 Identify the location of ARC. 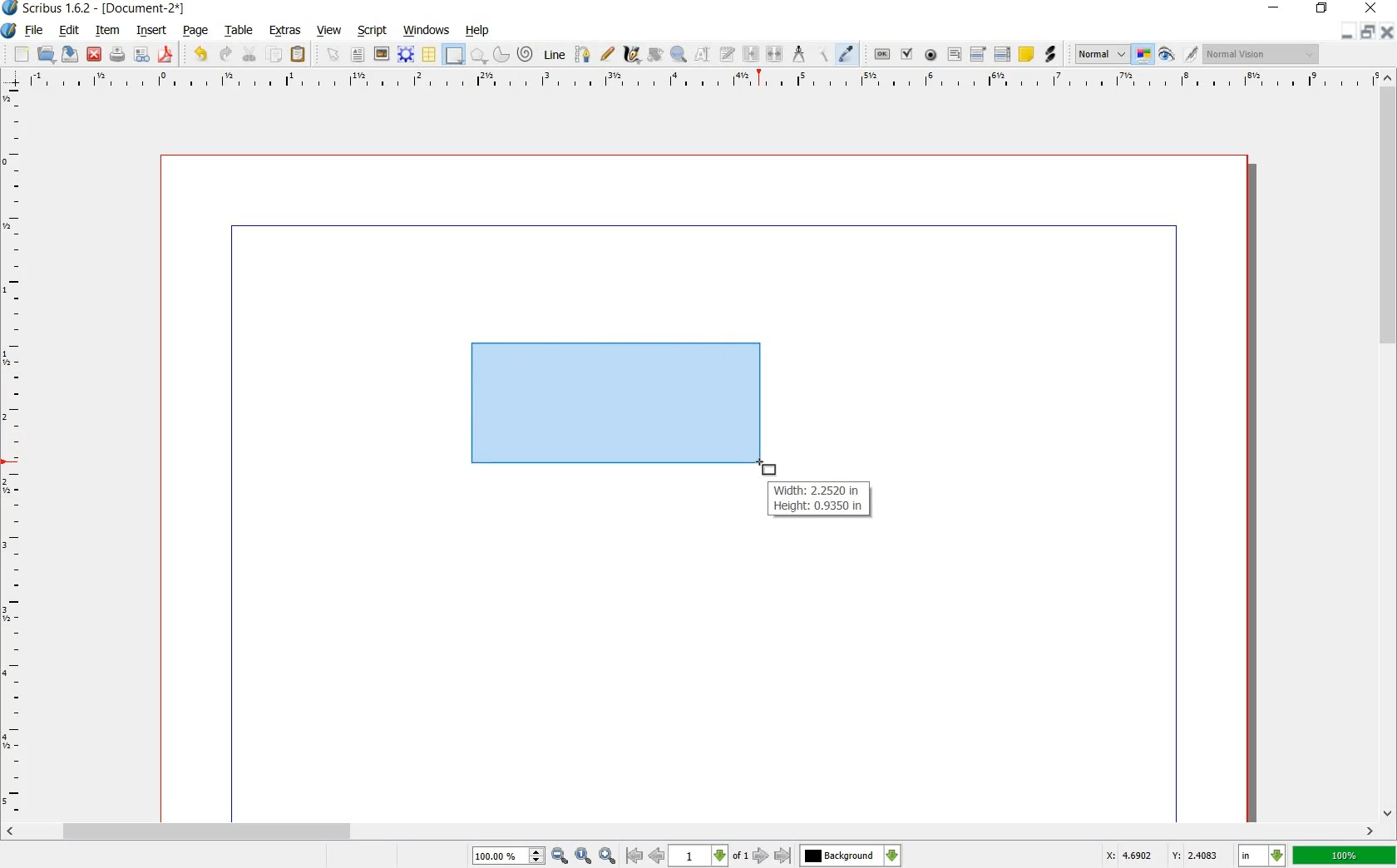
(501, 53).